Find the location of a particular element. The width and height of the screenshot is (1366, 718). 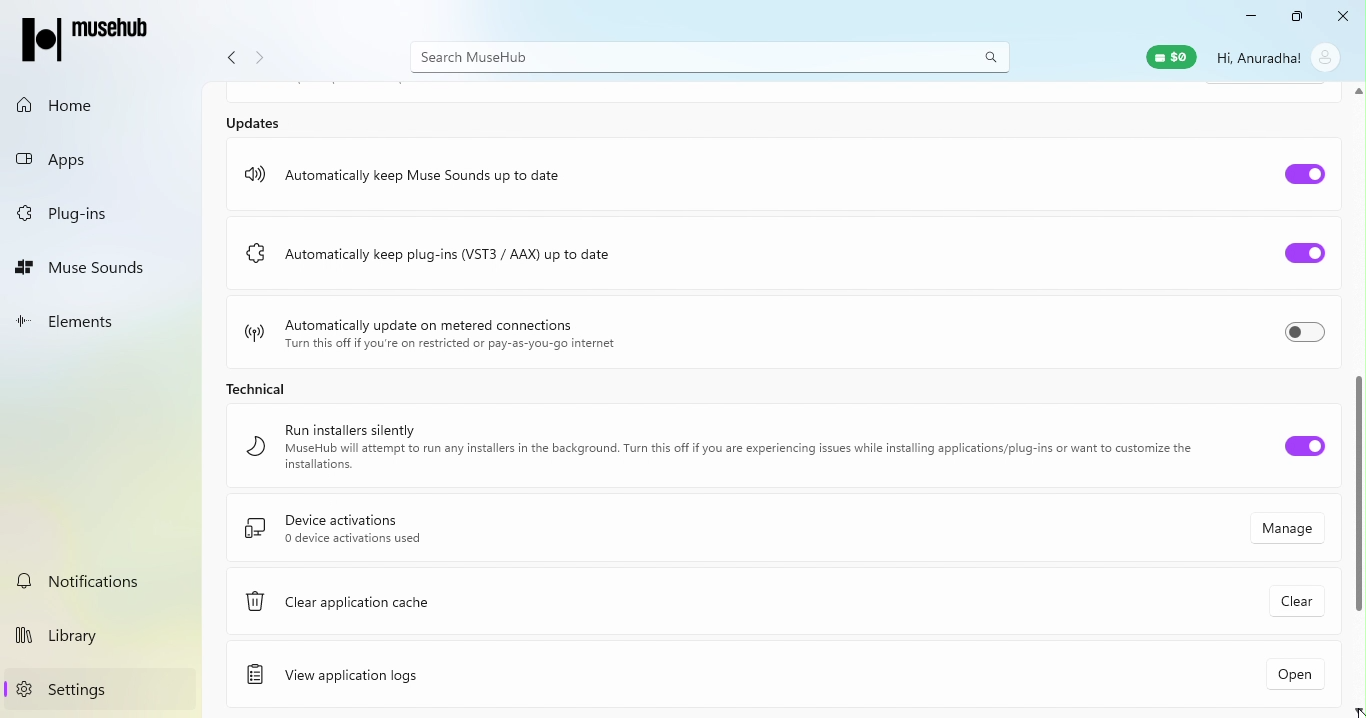

Scroll bar is located at coordinates (1358, 496).